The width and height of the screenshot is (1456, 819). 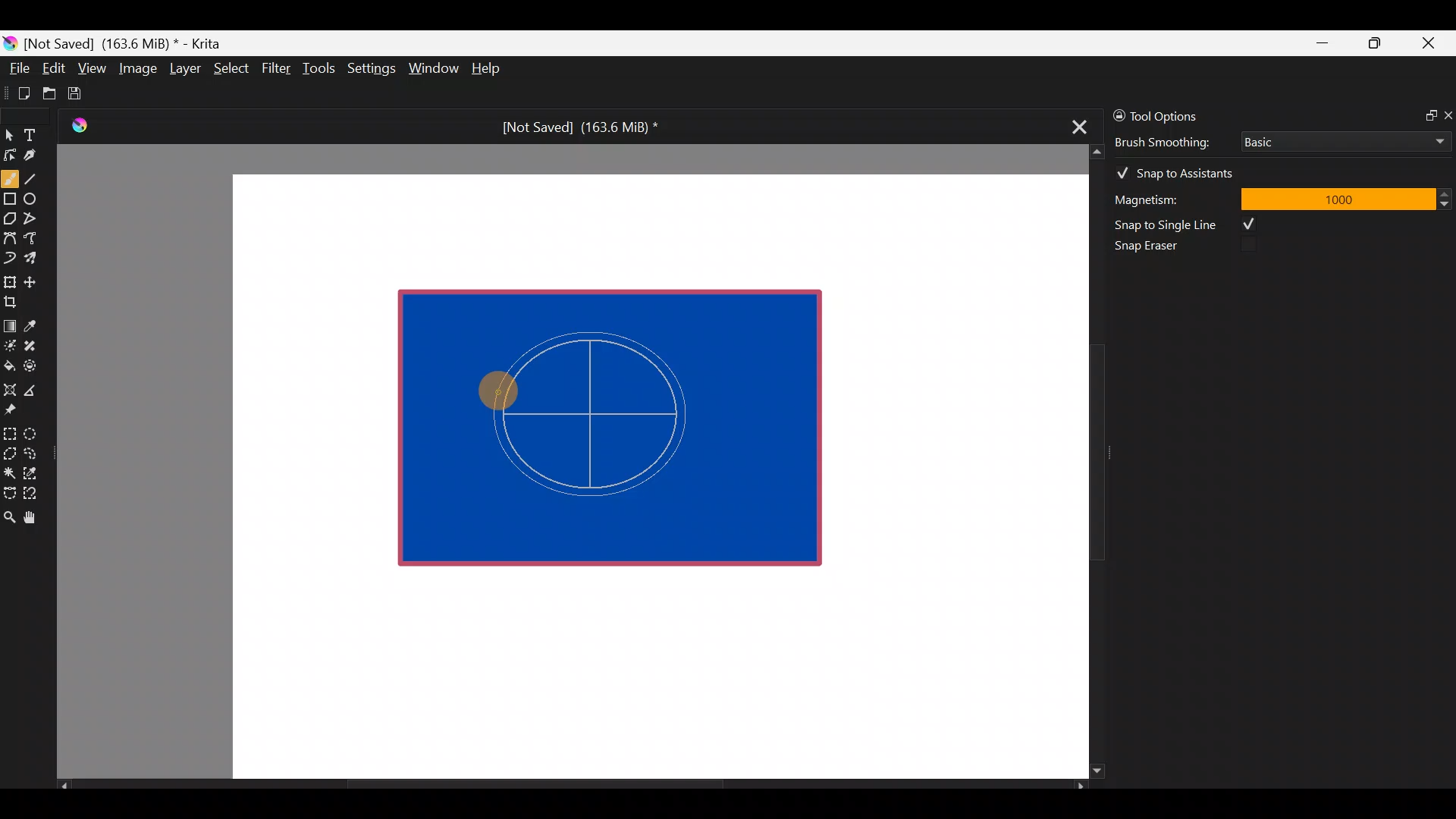 I want to click on Concentric circle drawn on canvas, so click(x=614, y=409).